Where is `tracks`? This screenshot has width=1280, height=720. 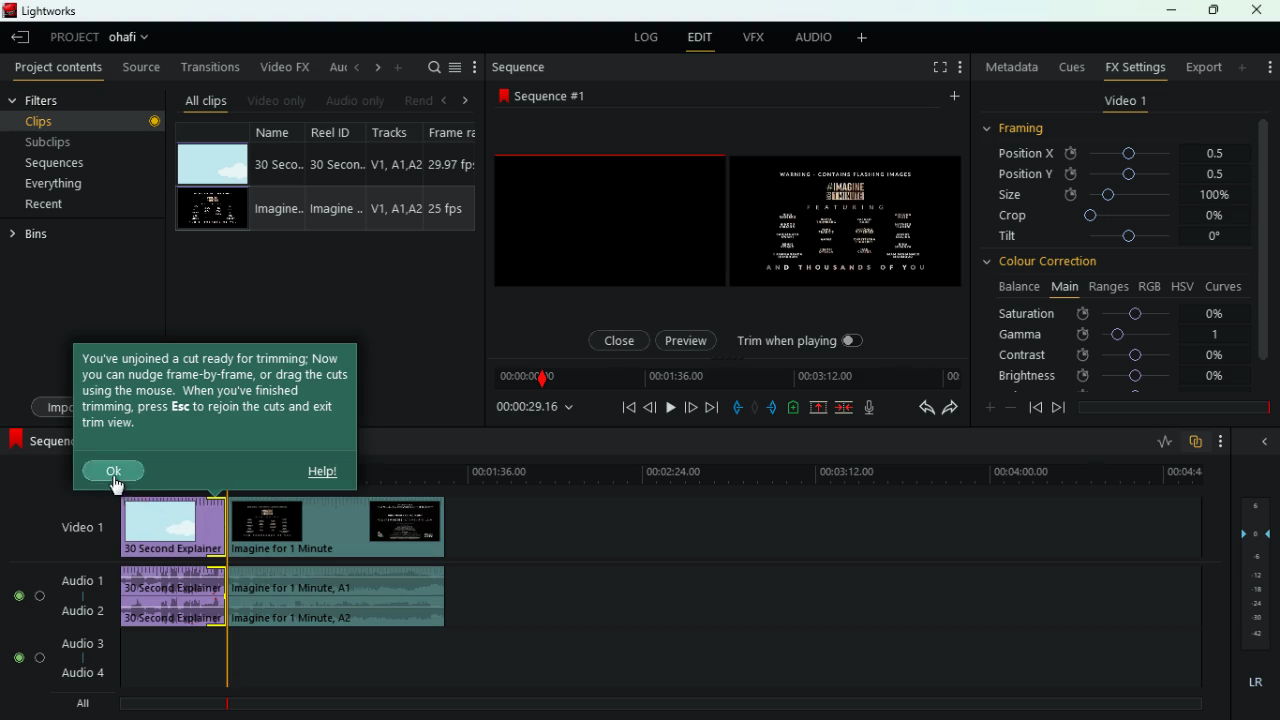
tracks is located at coordinates (396, 176).